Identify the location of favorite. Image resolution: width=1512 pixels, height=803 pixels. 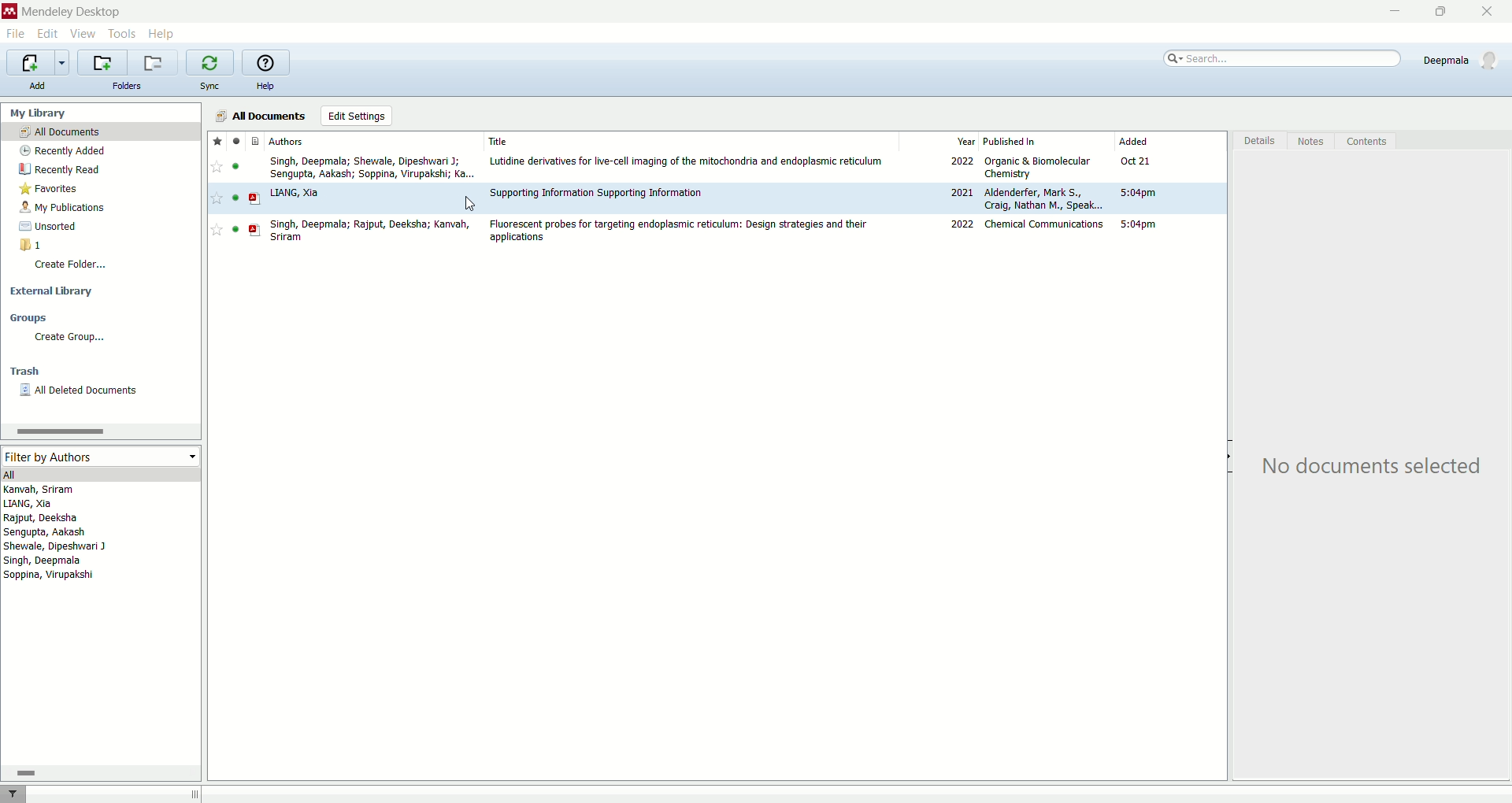
(217, 198).